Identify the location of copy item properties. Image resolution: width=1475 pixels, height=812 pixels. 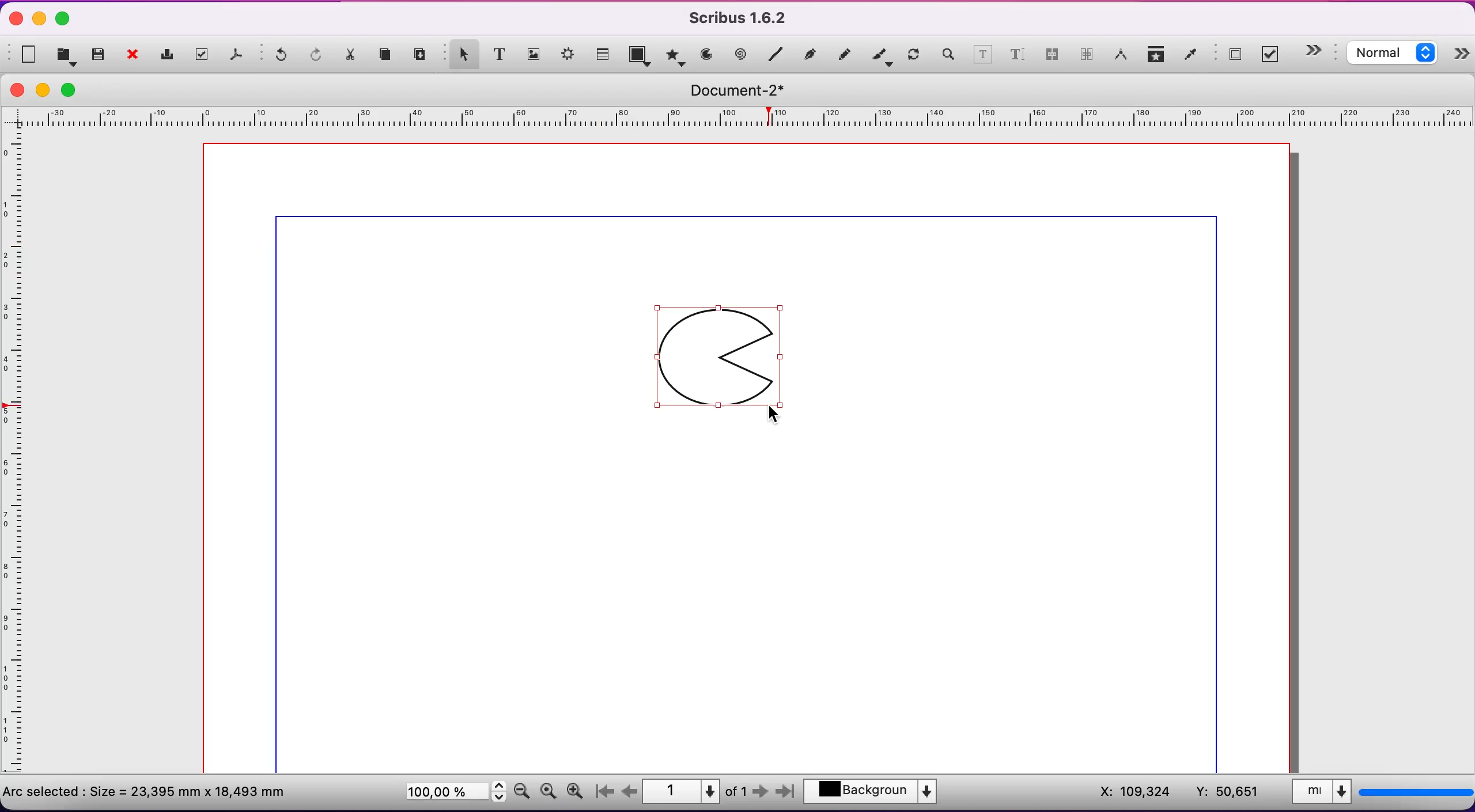
(1157, 56).